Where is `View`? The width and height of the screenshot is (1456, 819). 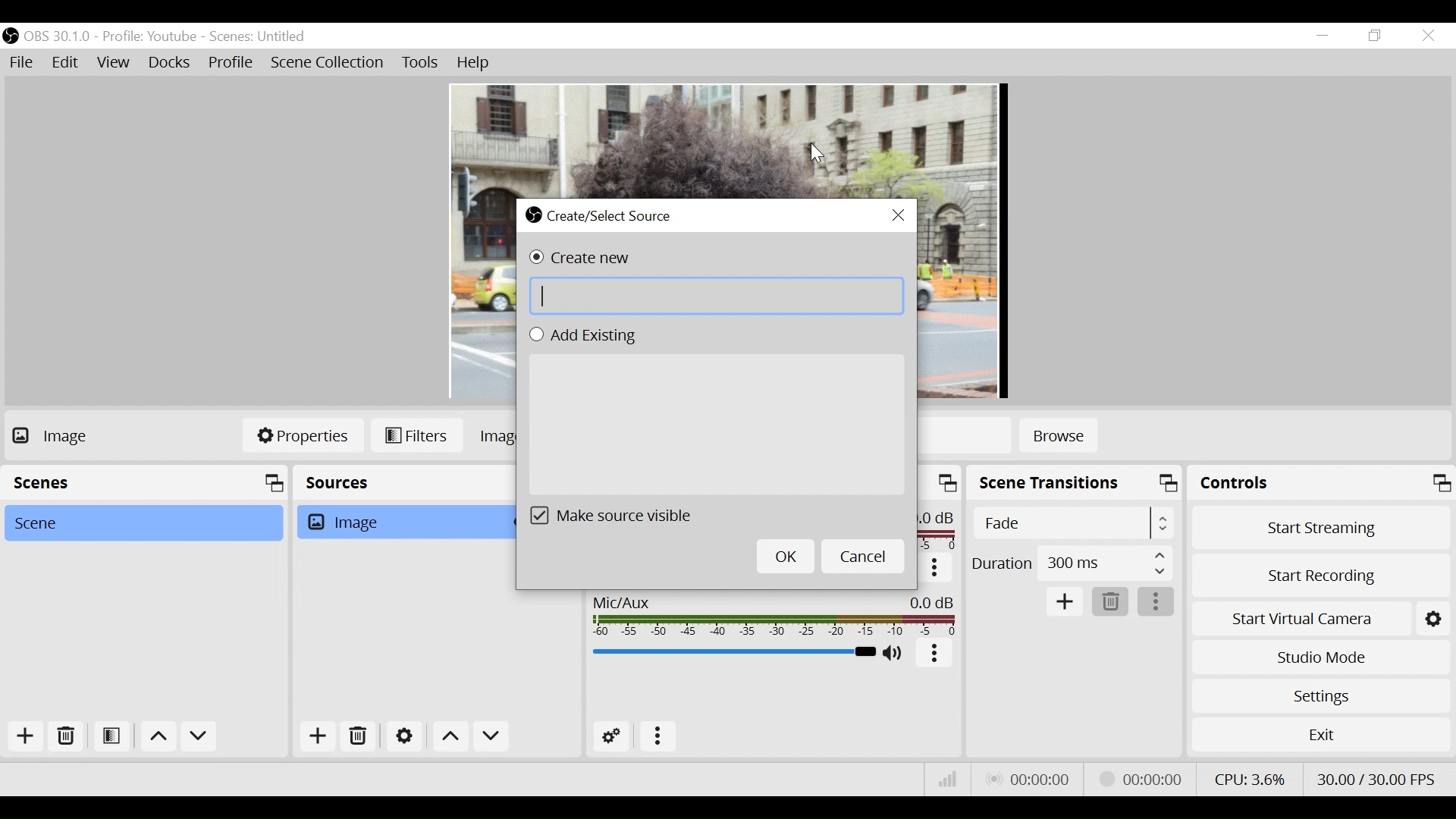
View is located at coordinates (113, 64).